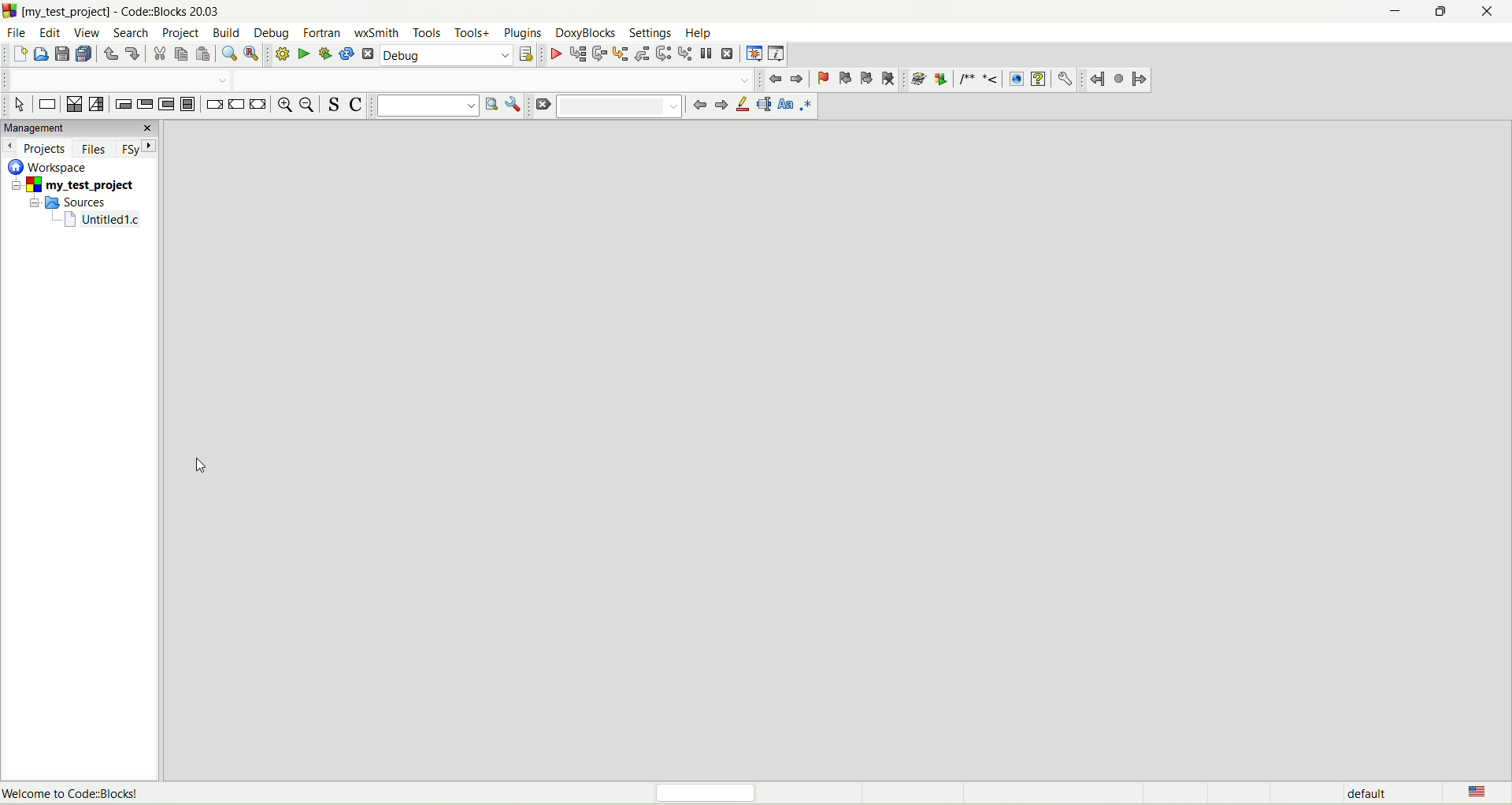 This screenshot has height=805, width=1512. What do you see at coordinates (744, 106) in the screenshot?
I see `highlight` at bounding box center [744, 106].